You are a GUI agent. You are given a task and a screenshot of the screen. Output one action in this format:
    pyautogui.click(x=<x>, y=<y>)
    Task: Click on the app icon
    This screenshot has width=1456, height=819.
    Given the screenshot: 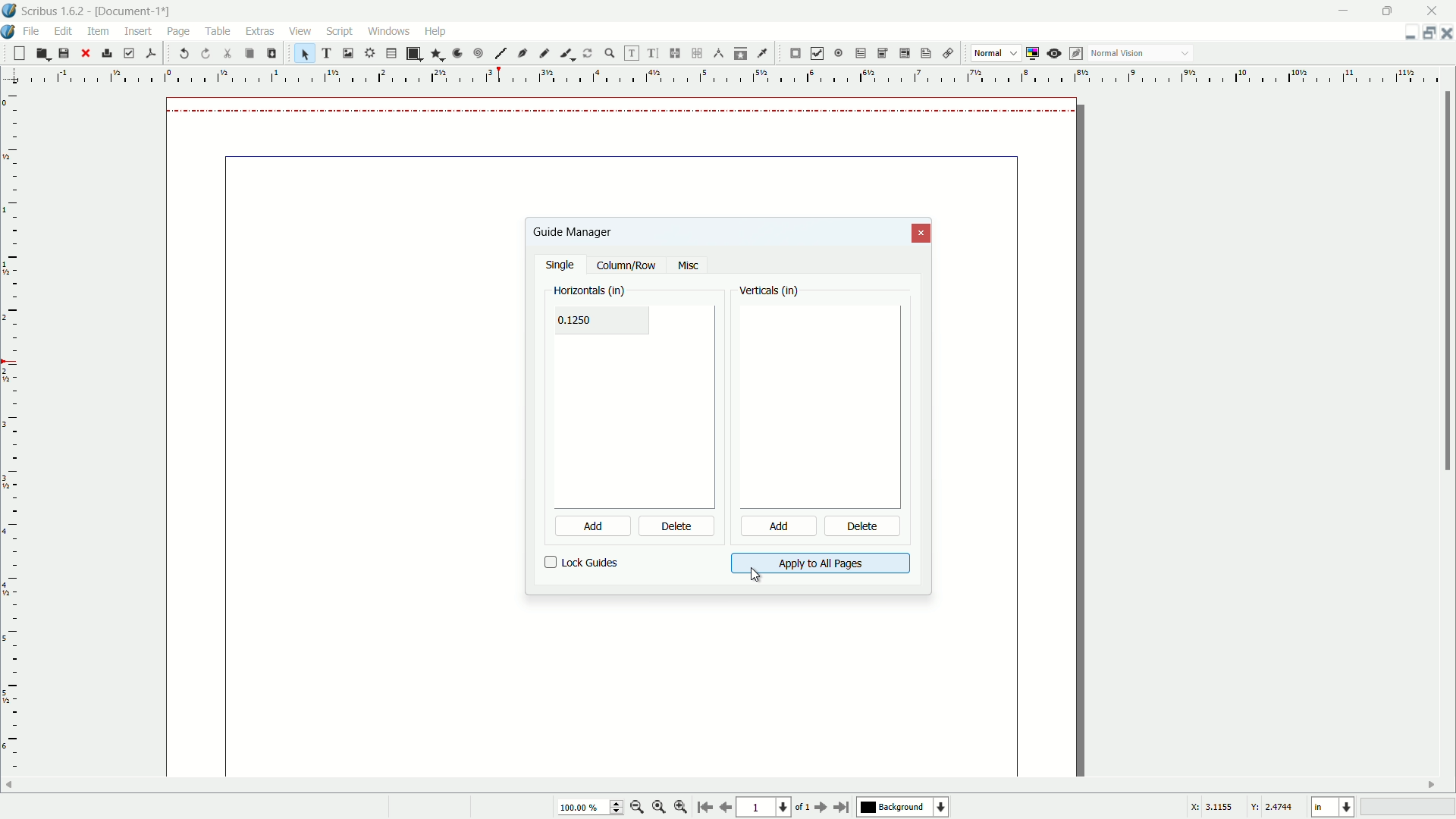 What is the action you would take?
    pyautogui.click(x=9, y=11)
    